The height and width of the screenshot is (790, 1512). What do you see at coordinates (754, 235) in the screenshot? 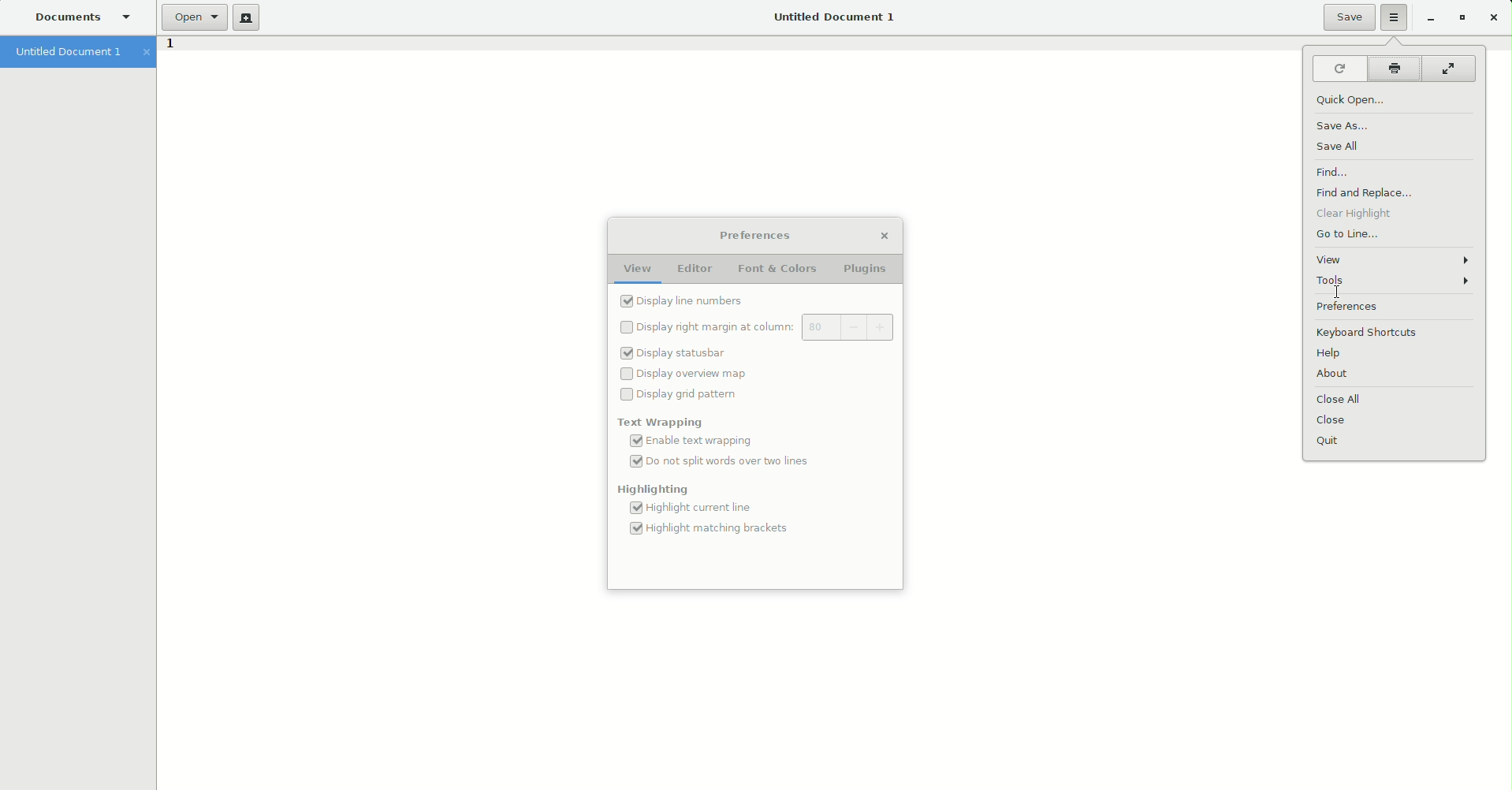
I see `Preferences` at bounding box center [754, 235].